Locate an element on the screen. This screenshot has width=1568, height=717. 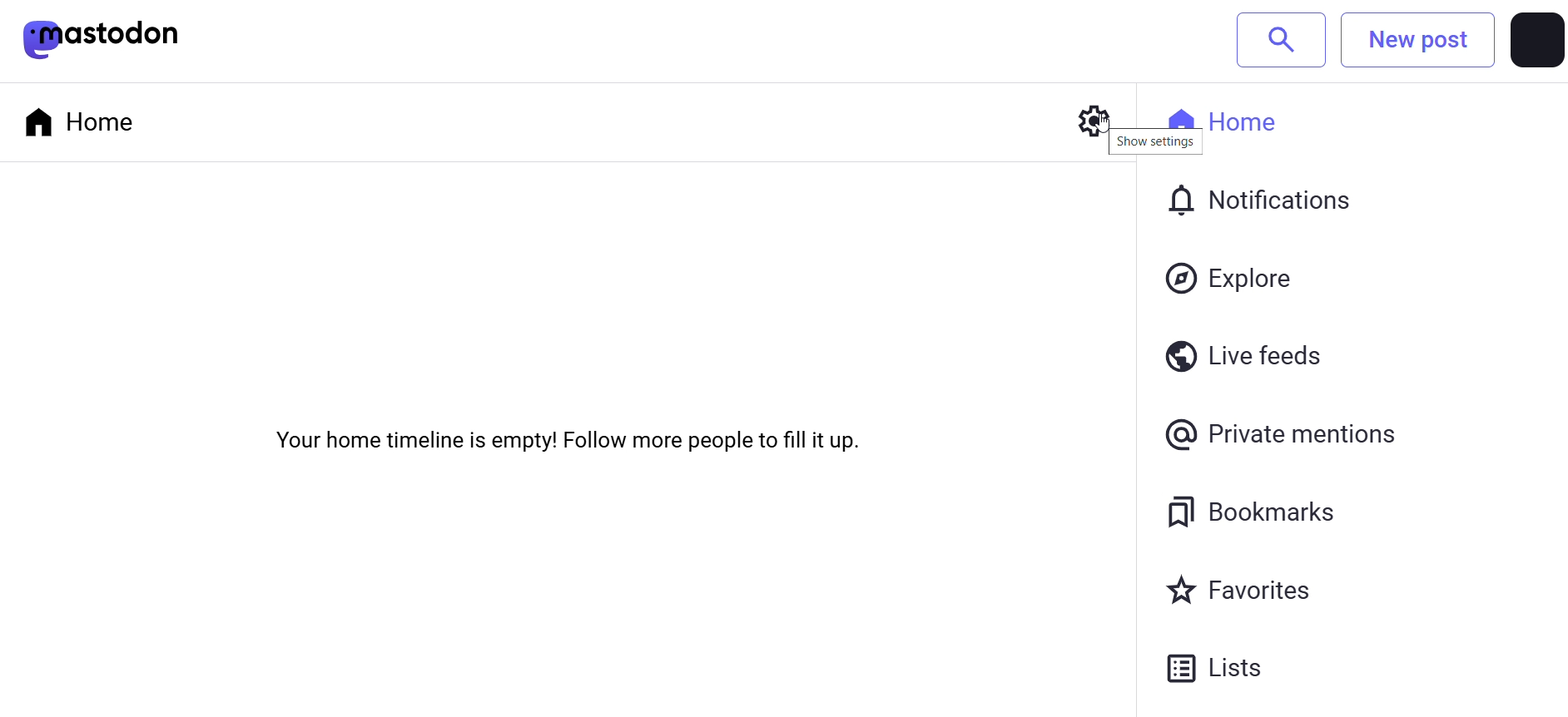
search is located at coordinates (1283, 38).